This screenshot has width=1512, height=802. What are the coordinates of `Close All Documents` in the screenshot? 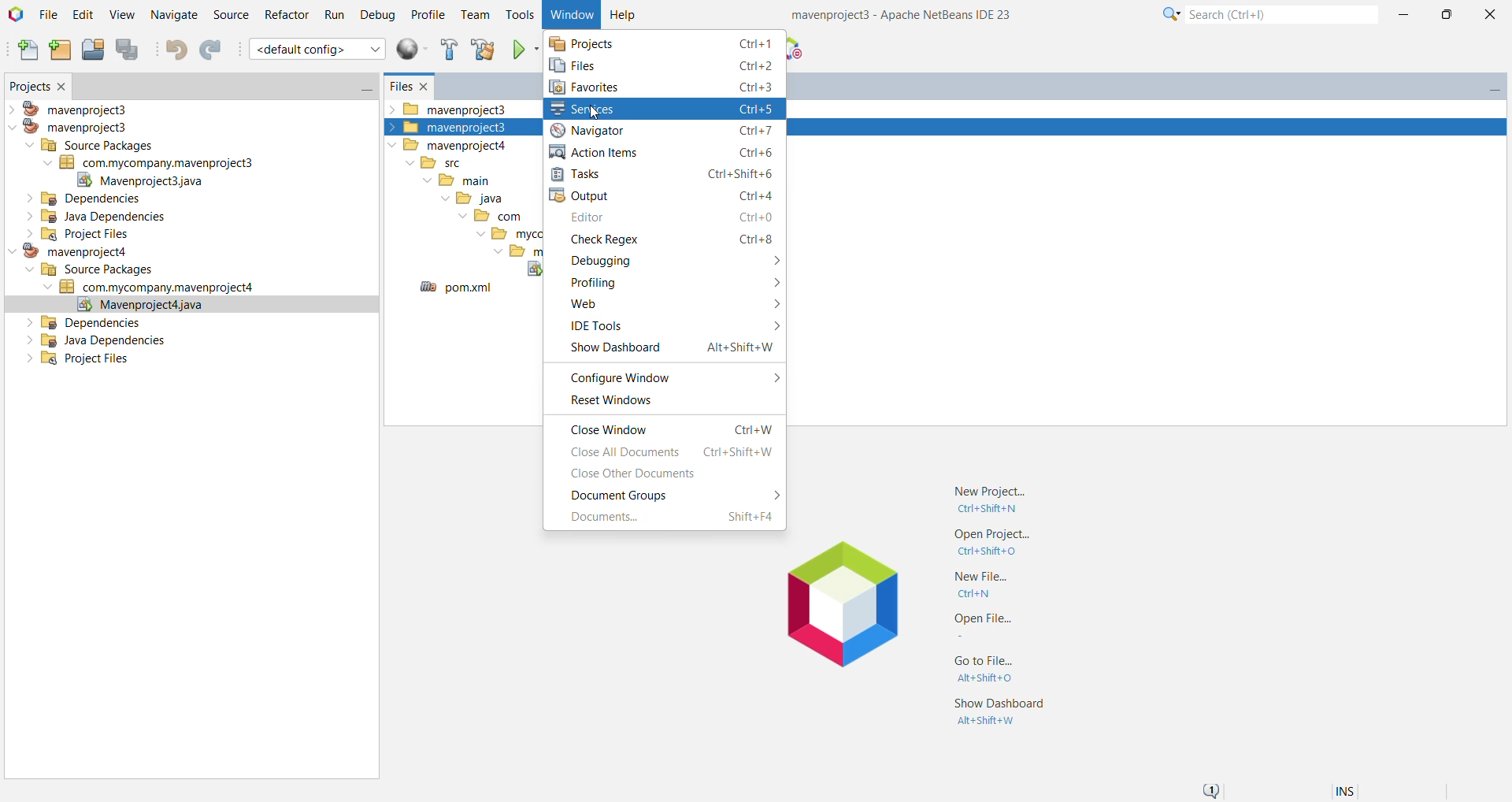 It's located at (670, 452).